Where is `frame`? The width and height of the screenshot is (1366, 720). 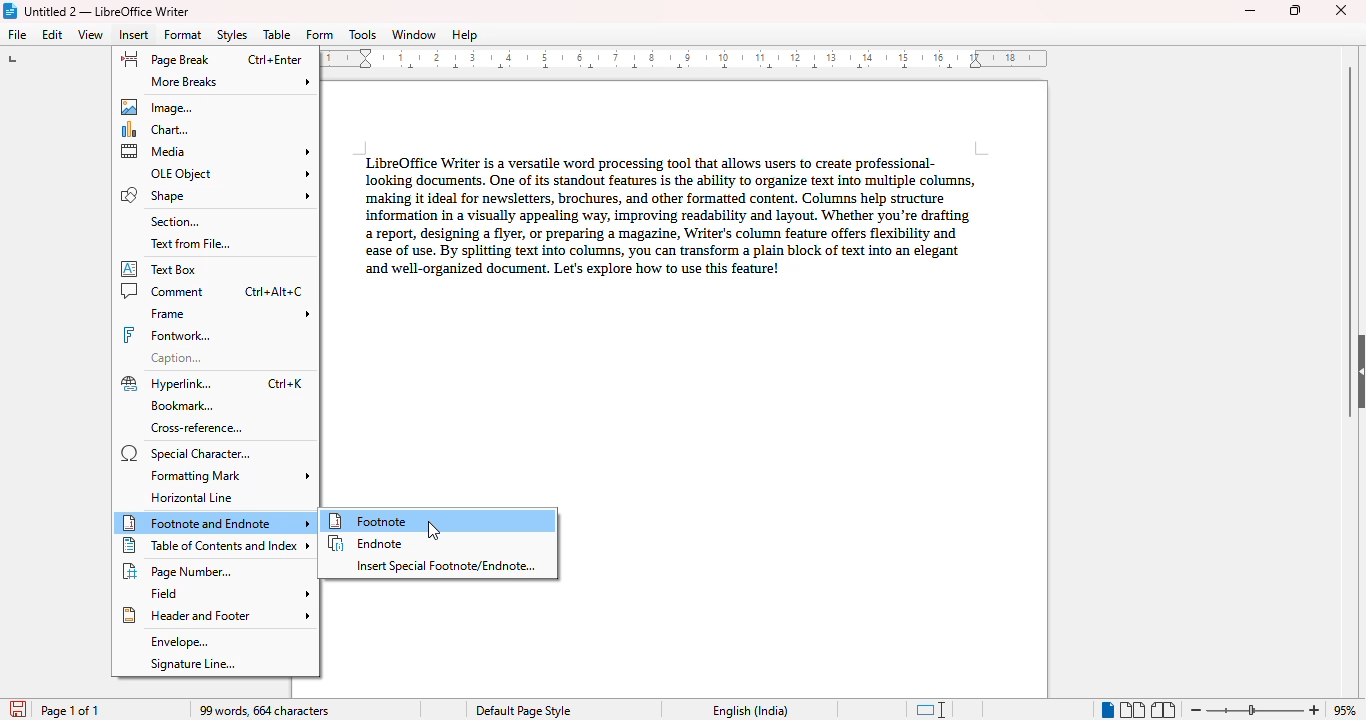 frame is located at coordinates (228, 313).